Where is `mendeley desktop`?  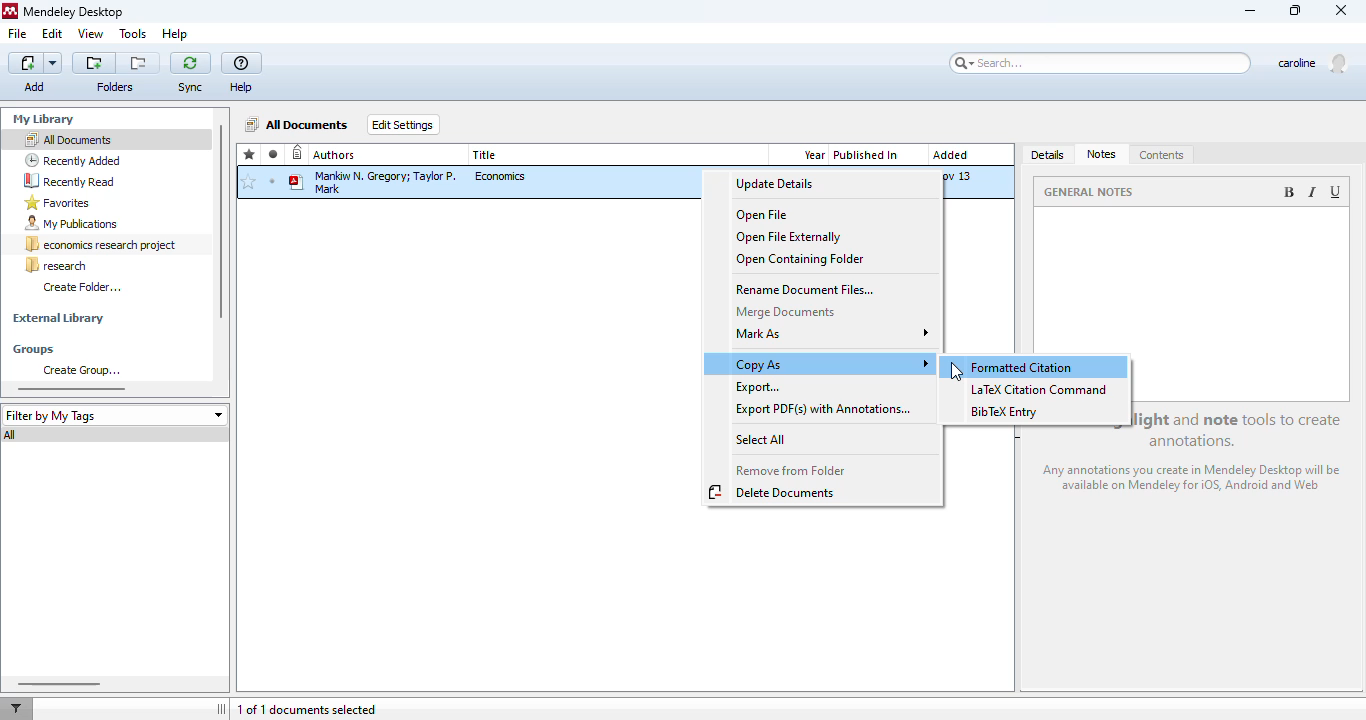
mendeley desktop is located at coordinates (75, 13).